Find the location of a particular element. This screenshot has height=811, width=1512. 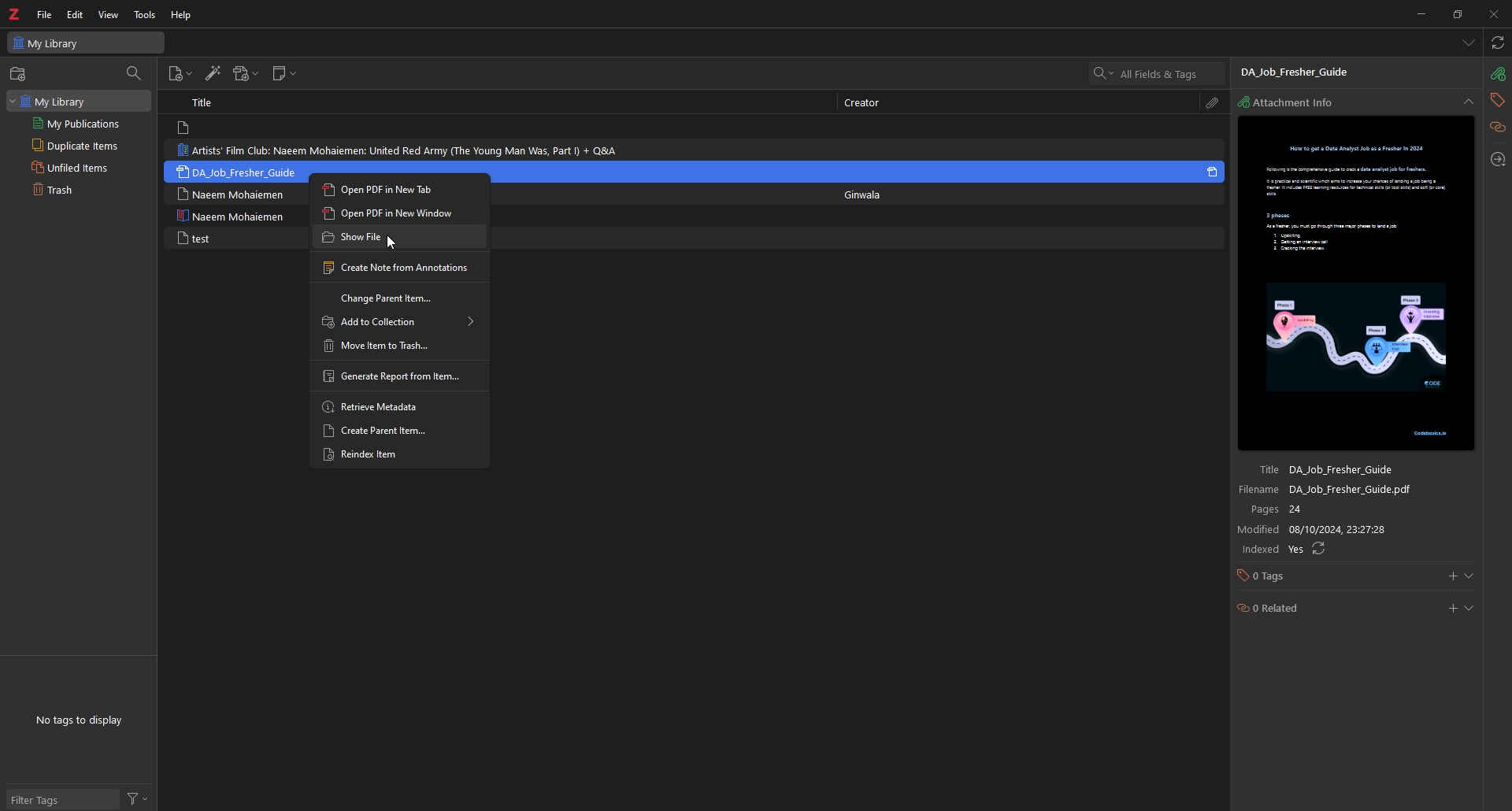

close is located at coordinates (1493, 14).